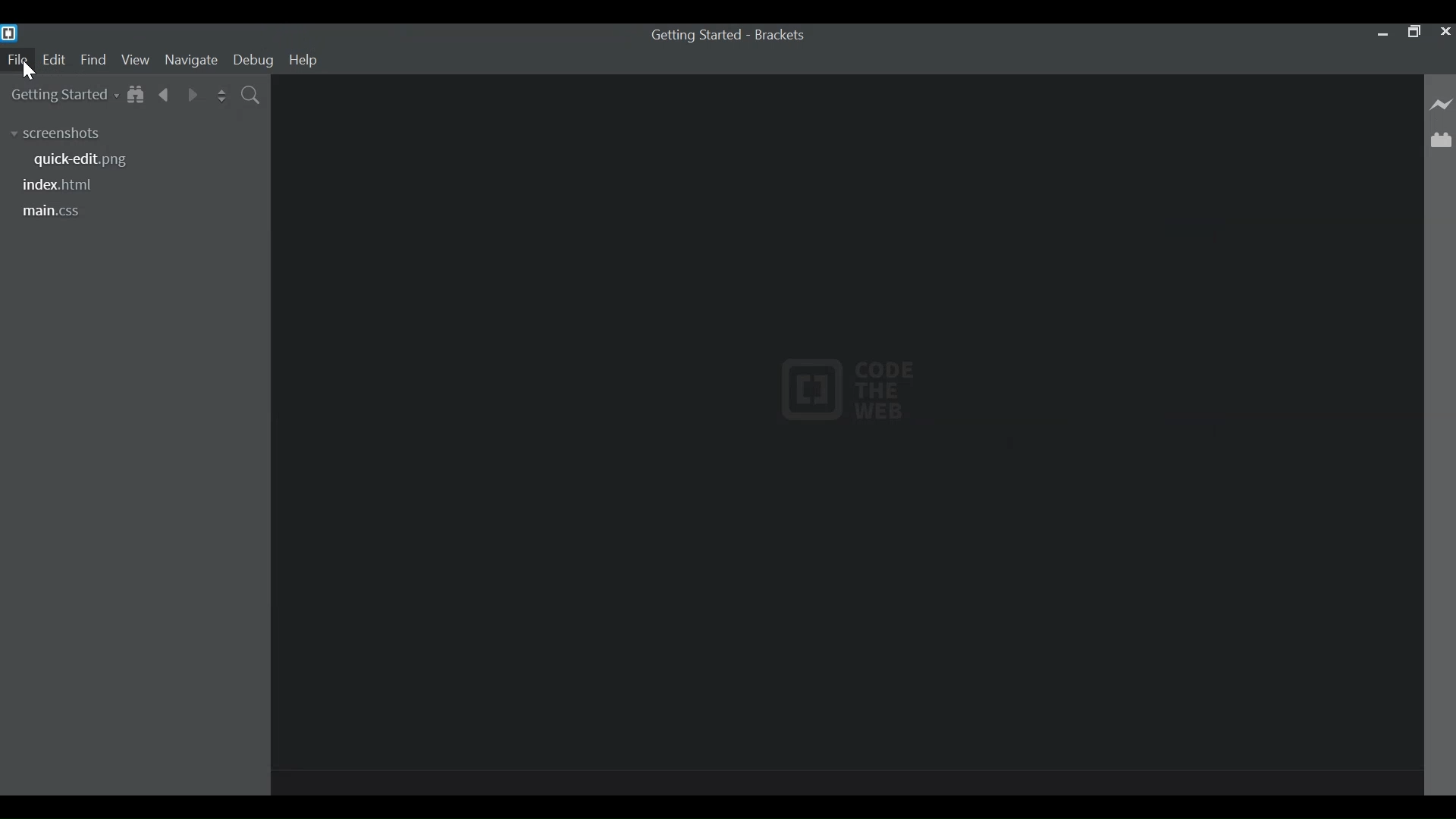 The width and height of the screenshot is (1456, 819). I want to click on Navigate, so click(192, 60).